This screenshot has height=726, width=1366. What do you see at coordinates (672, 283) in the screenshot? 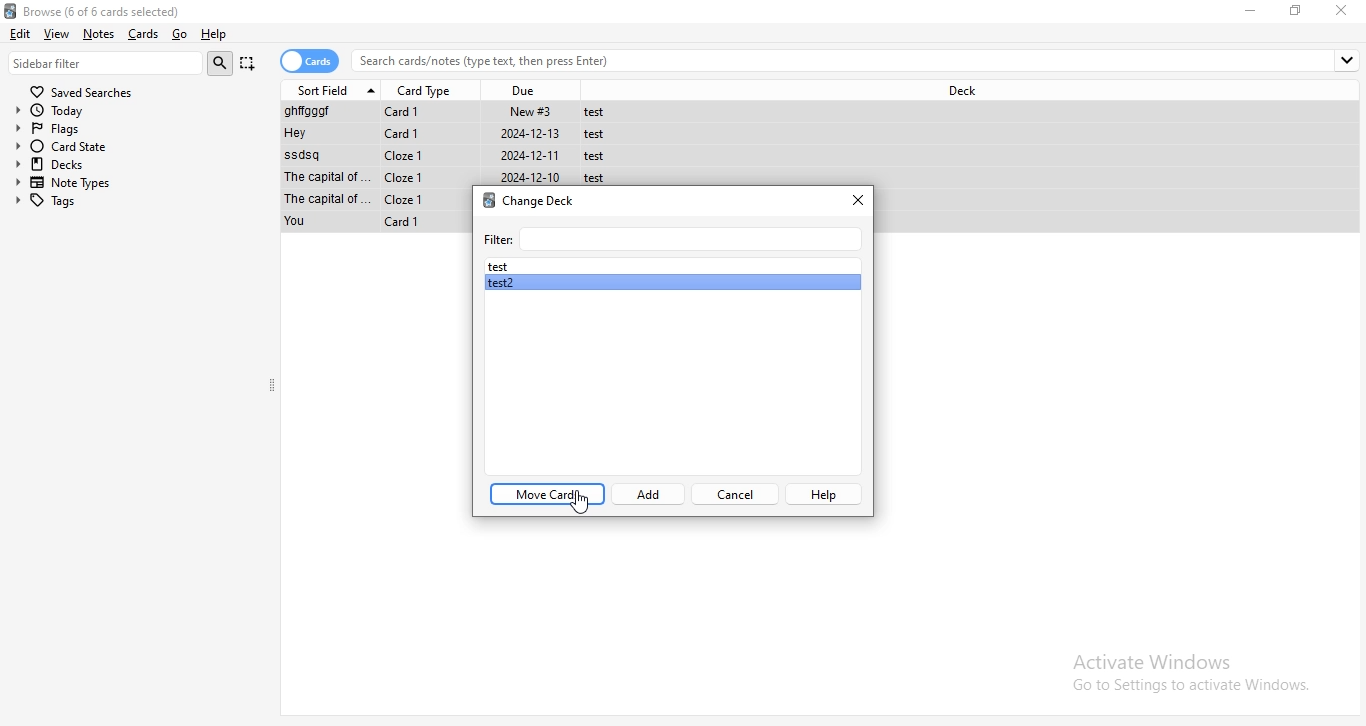
I see `test2` at bounding box center [672, 283].